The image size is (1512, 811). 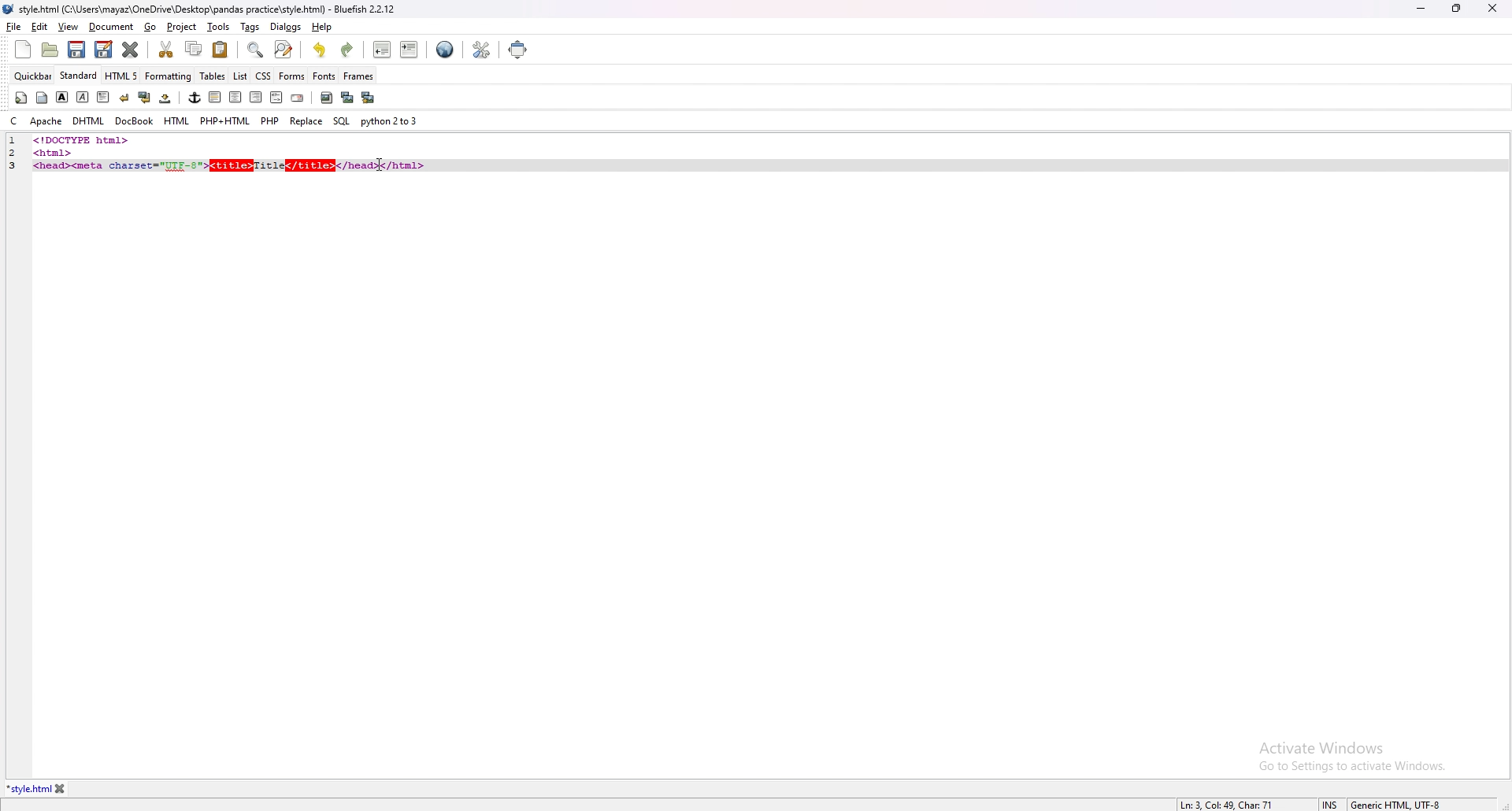 What do you see at coordinates (251, 27) in the screenshot?
I see `tags` at bounding box center [251, 27].